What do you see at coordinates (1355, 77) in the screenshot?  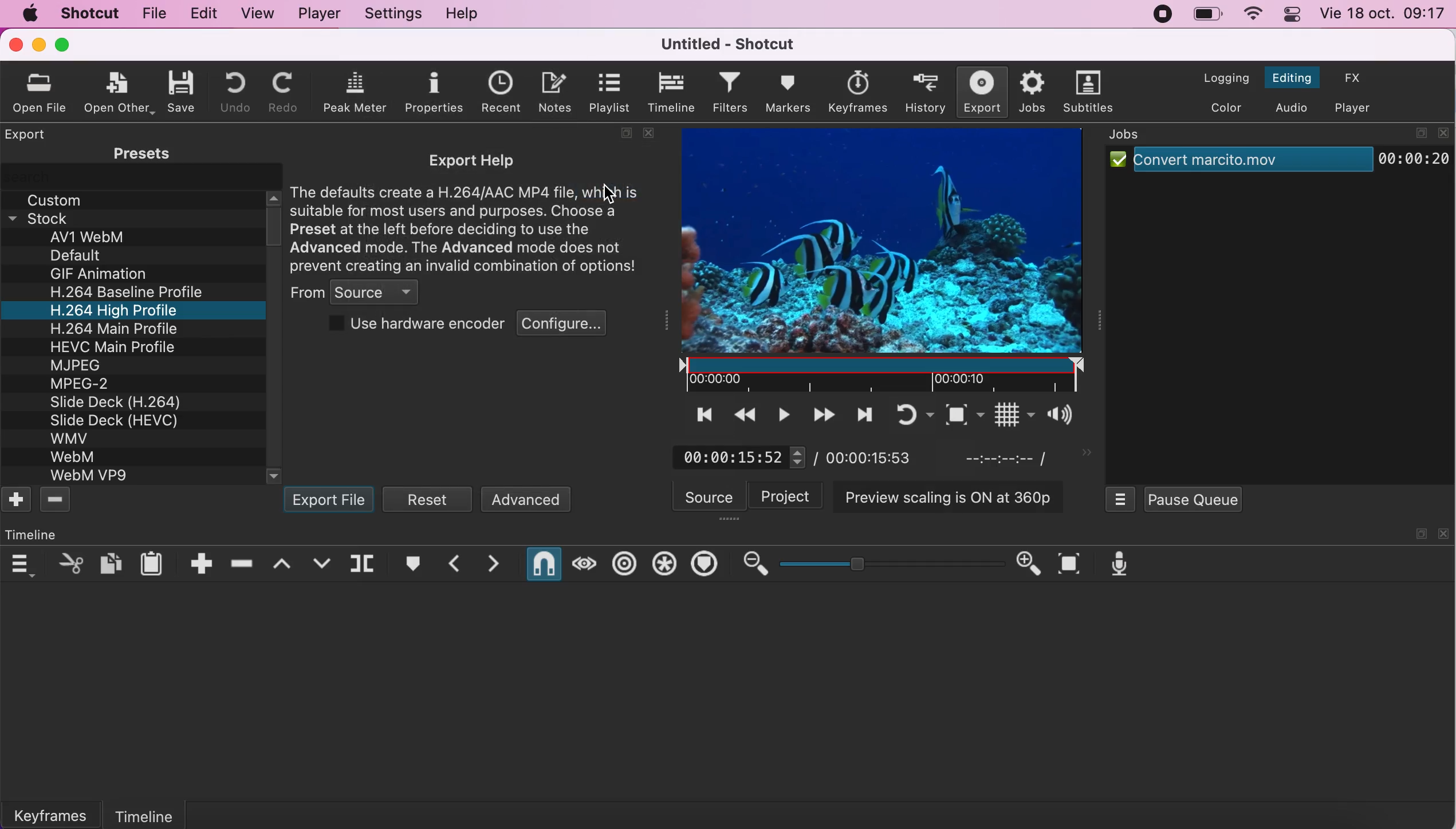 I see `switch to effects layout` at bounding box center [1355, 77].